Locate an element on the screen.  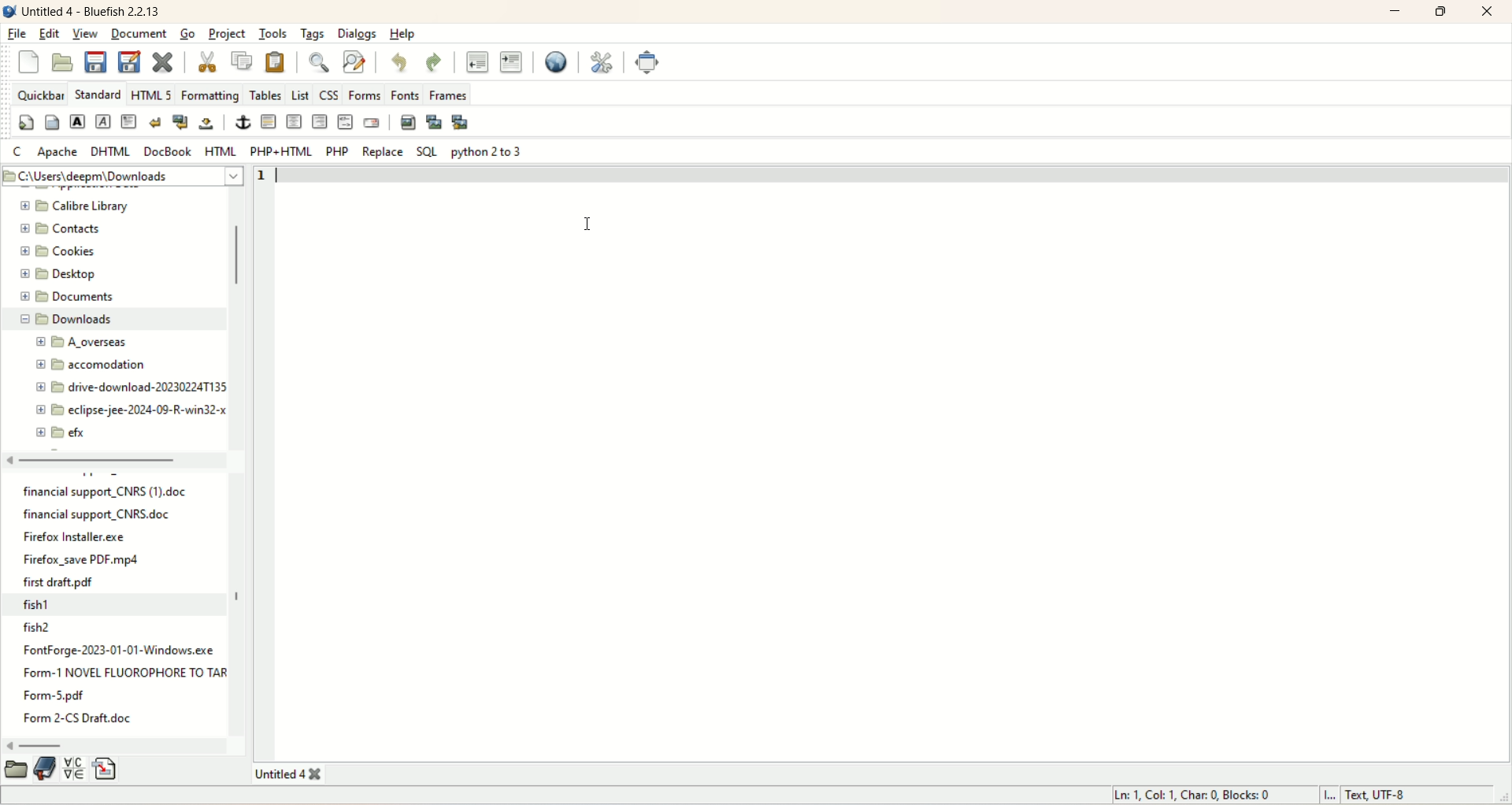
maximize is located at coordinates (1439, 12).